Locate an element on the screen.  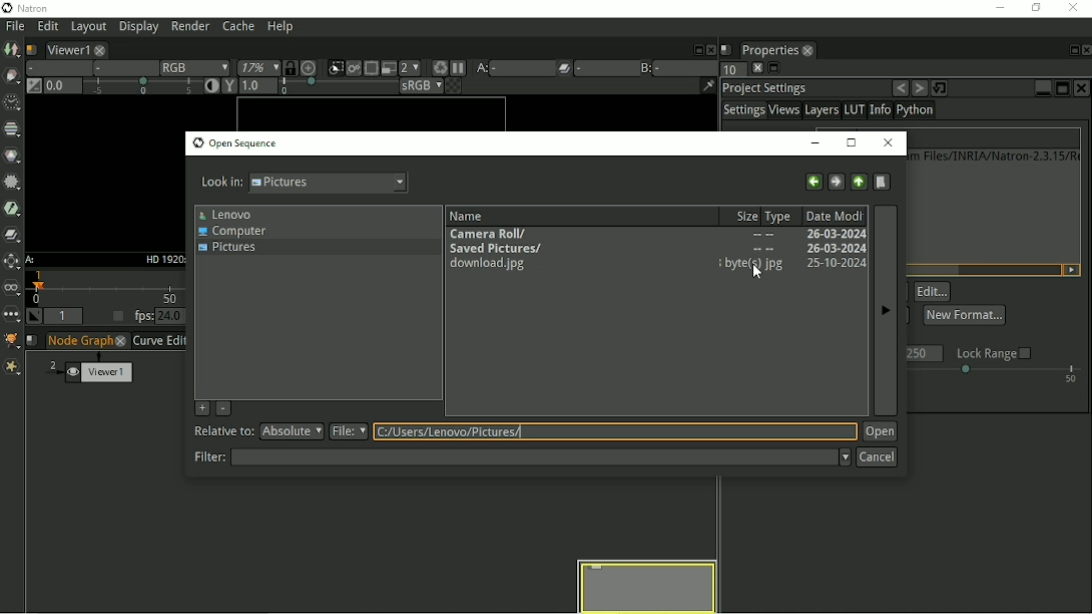
Name is located at coordinates (469, 214).